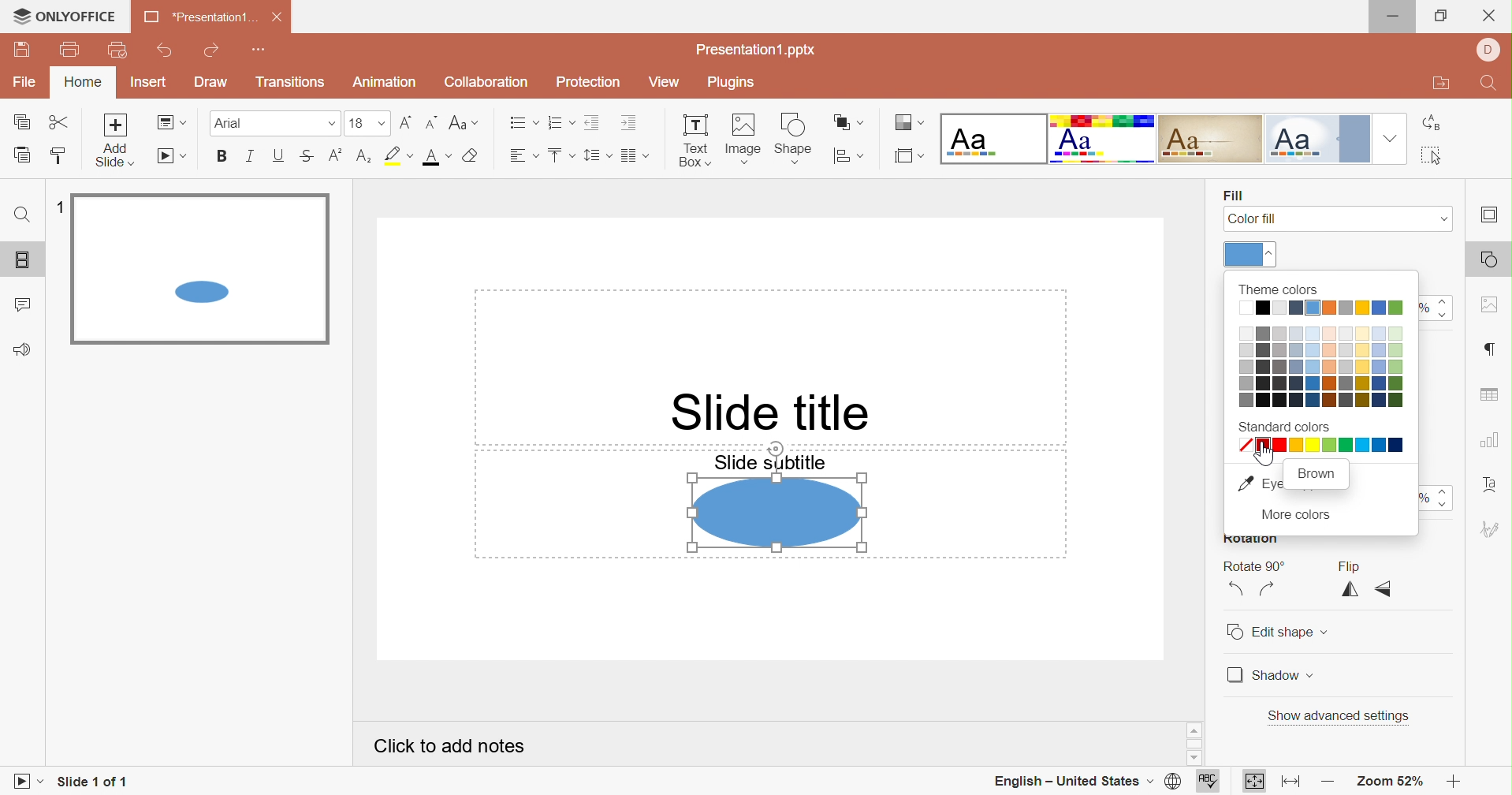  What do you see at coordinates (793, 139) in the screenshot?
I see `Shape` at bounding box center [793, 139].